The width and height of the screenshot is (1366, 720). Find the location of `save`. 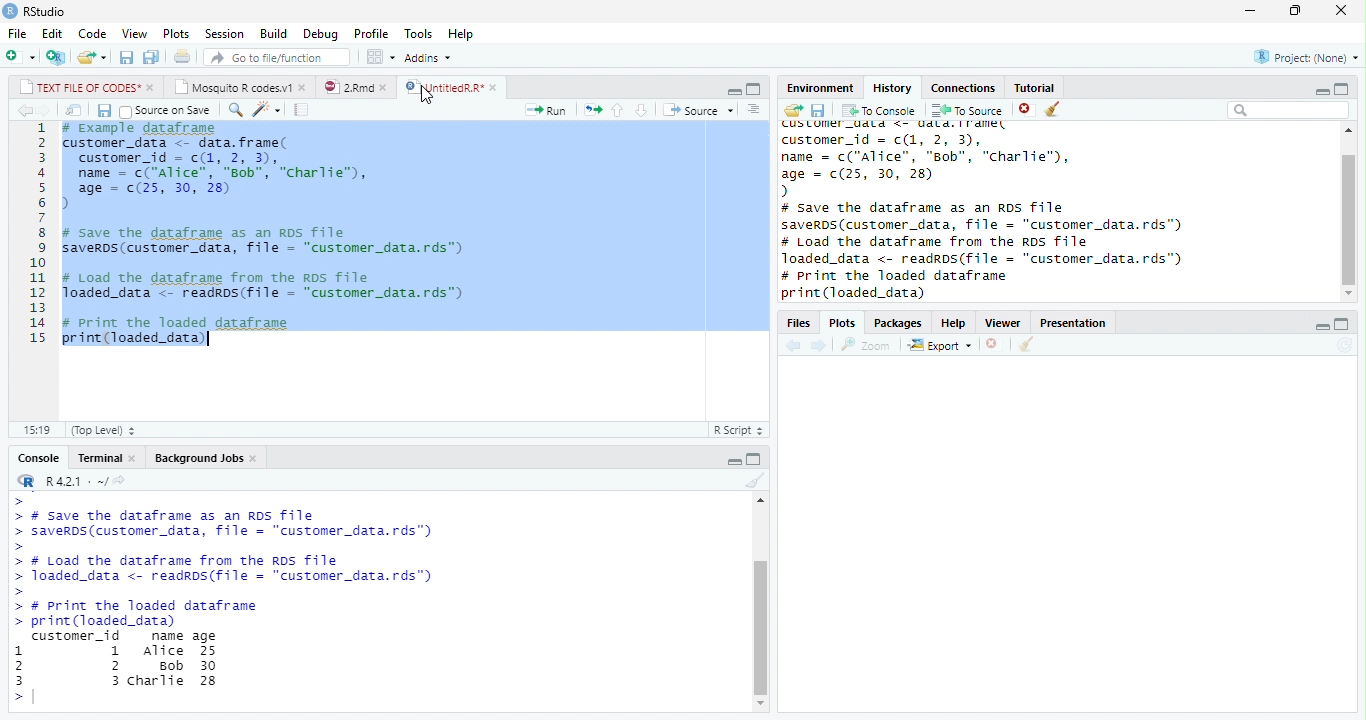

save is located at coordinates (127, 57).